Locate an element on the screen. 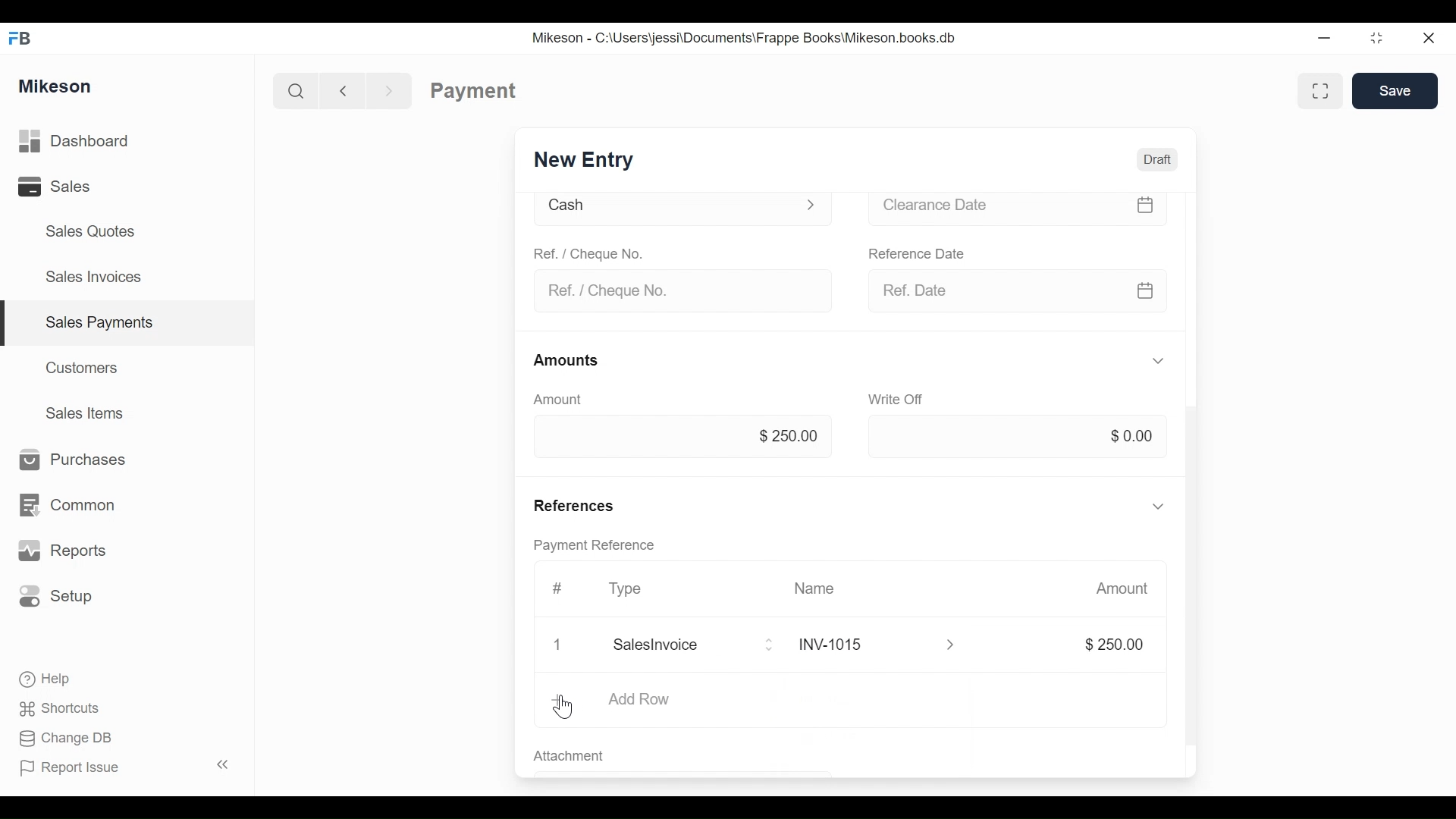 Image resolution: width=1456 pixels, height=819 pixels. $250.00 is located at coordinates (791, 438).